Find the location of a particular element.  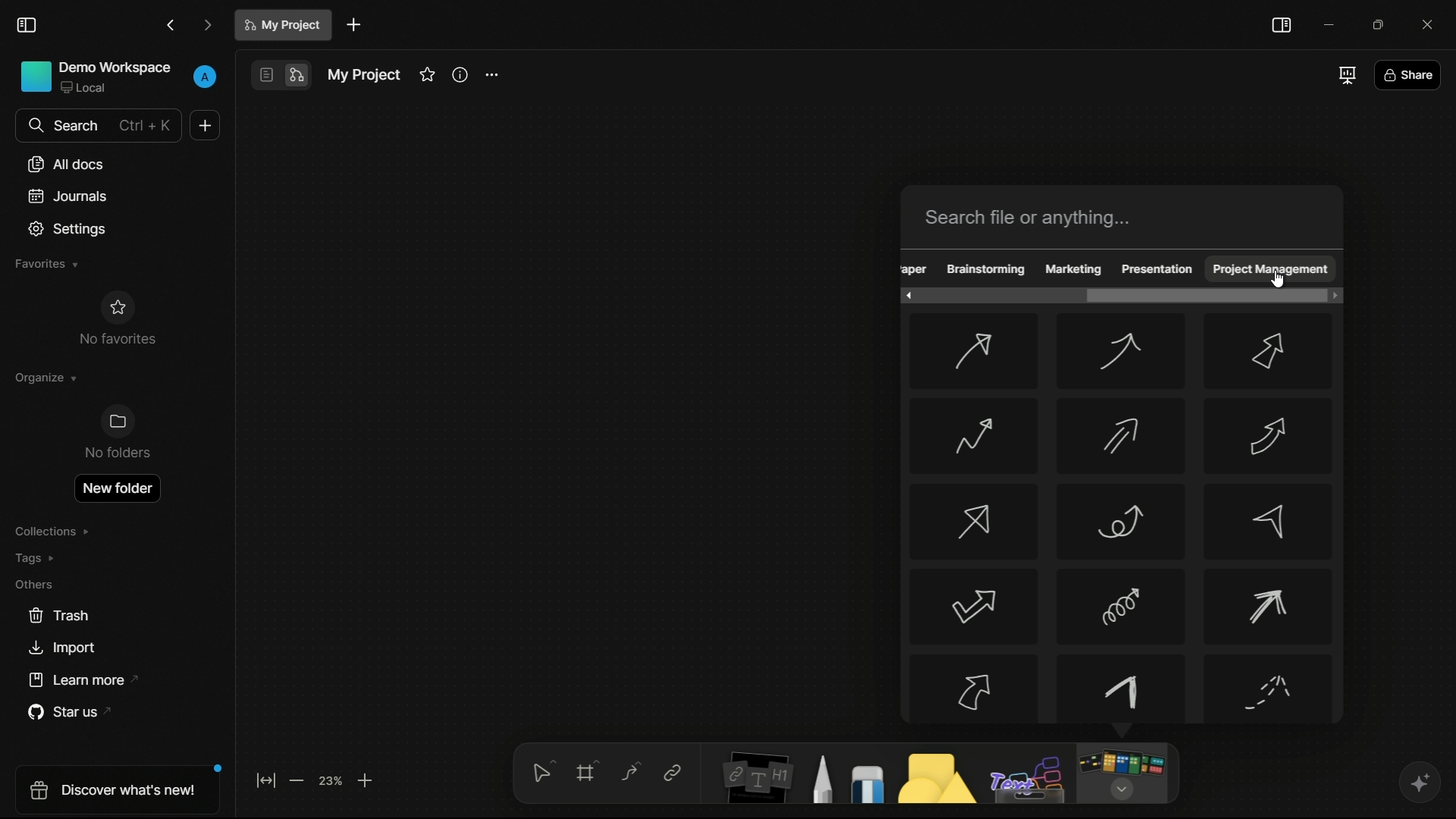

notes is located at coordinates (757, 777).